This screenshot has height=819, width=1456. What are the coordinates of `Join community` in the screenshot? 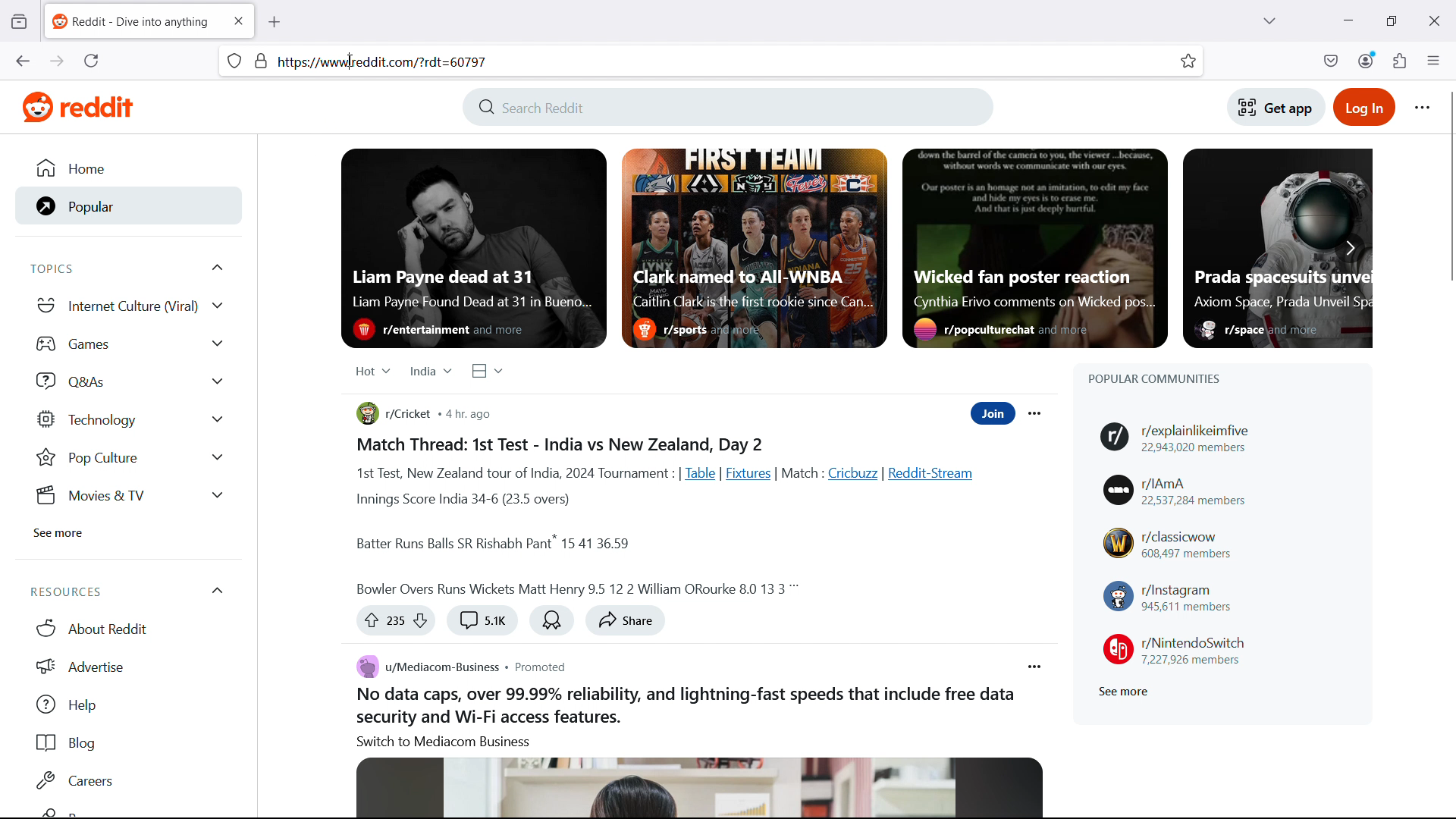 It's located at (993, 413).